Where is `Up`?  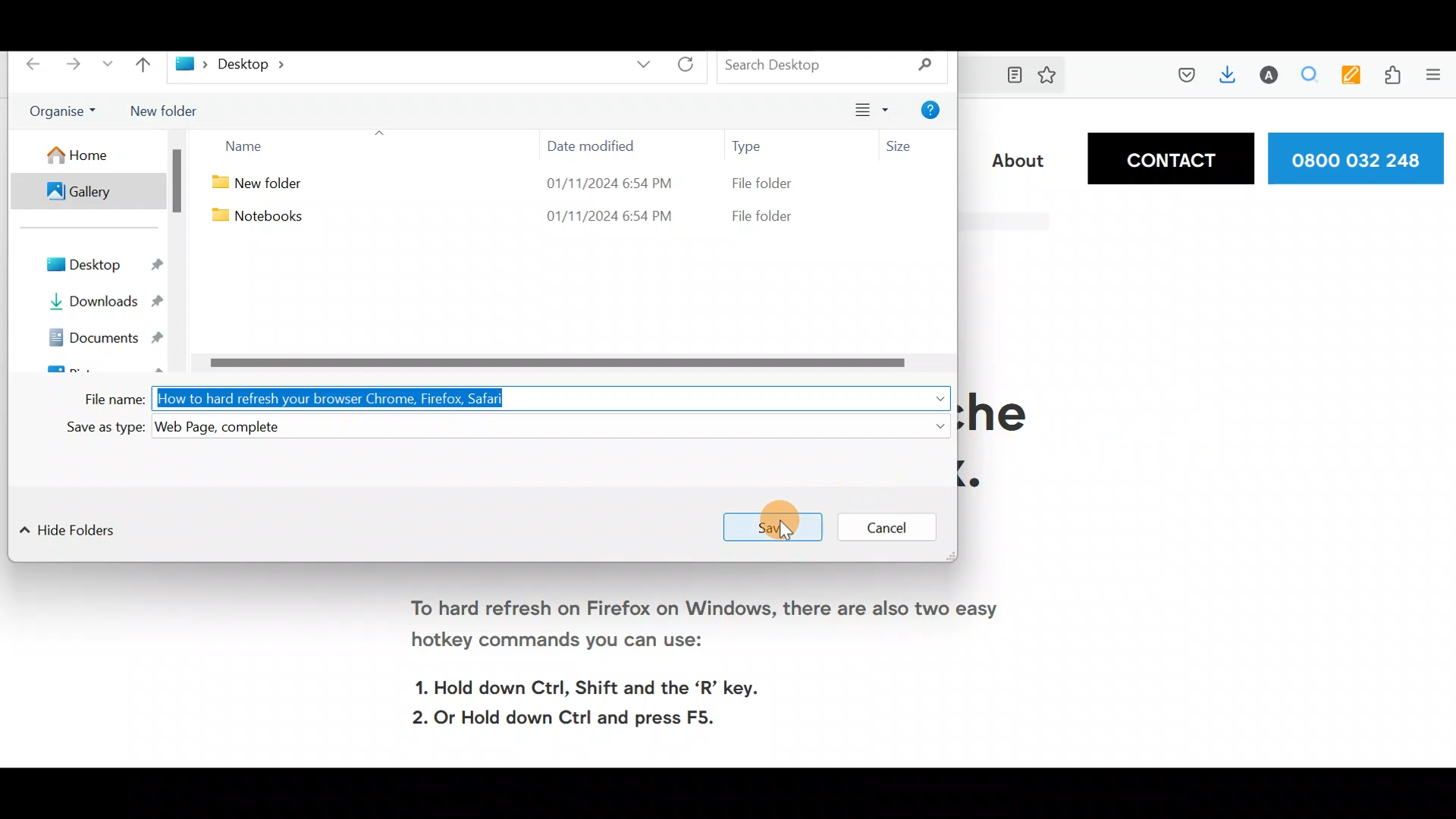
Up is located at coordinates (147, 67).